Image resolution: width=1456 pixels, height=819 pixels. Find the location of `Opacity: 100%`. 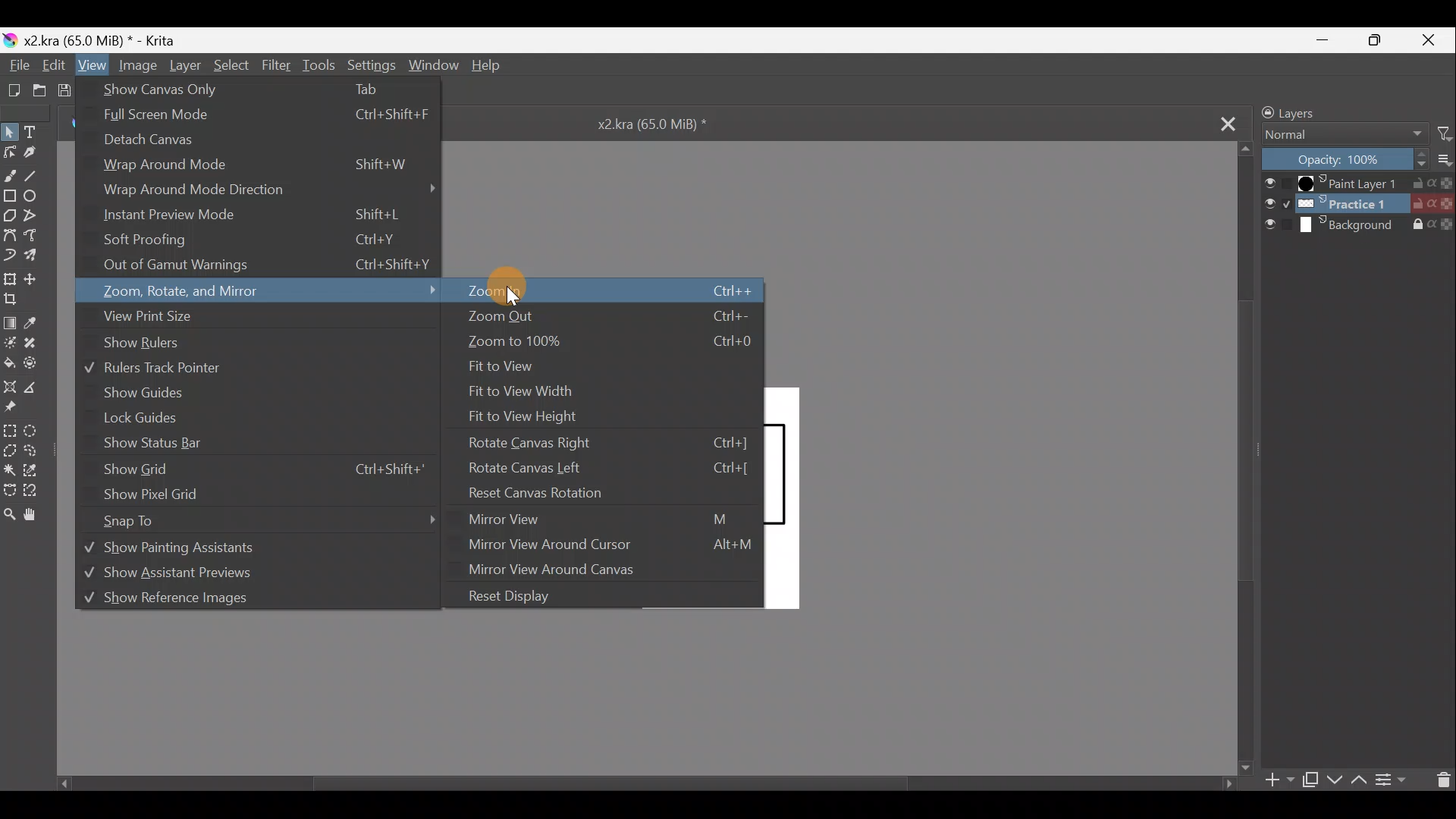

Opacity: 100% is located at coordinates (1343, 158).